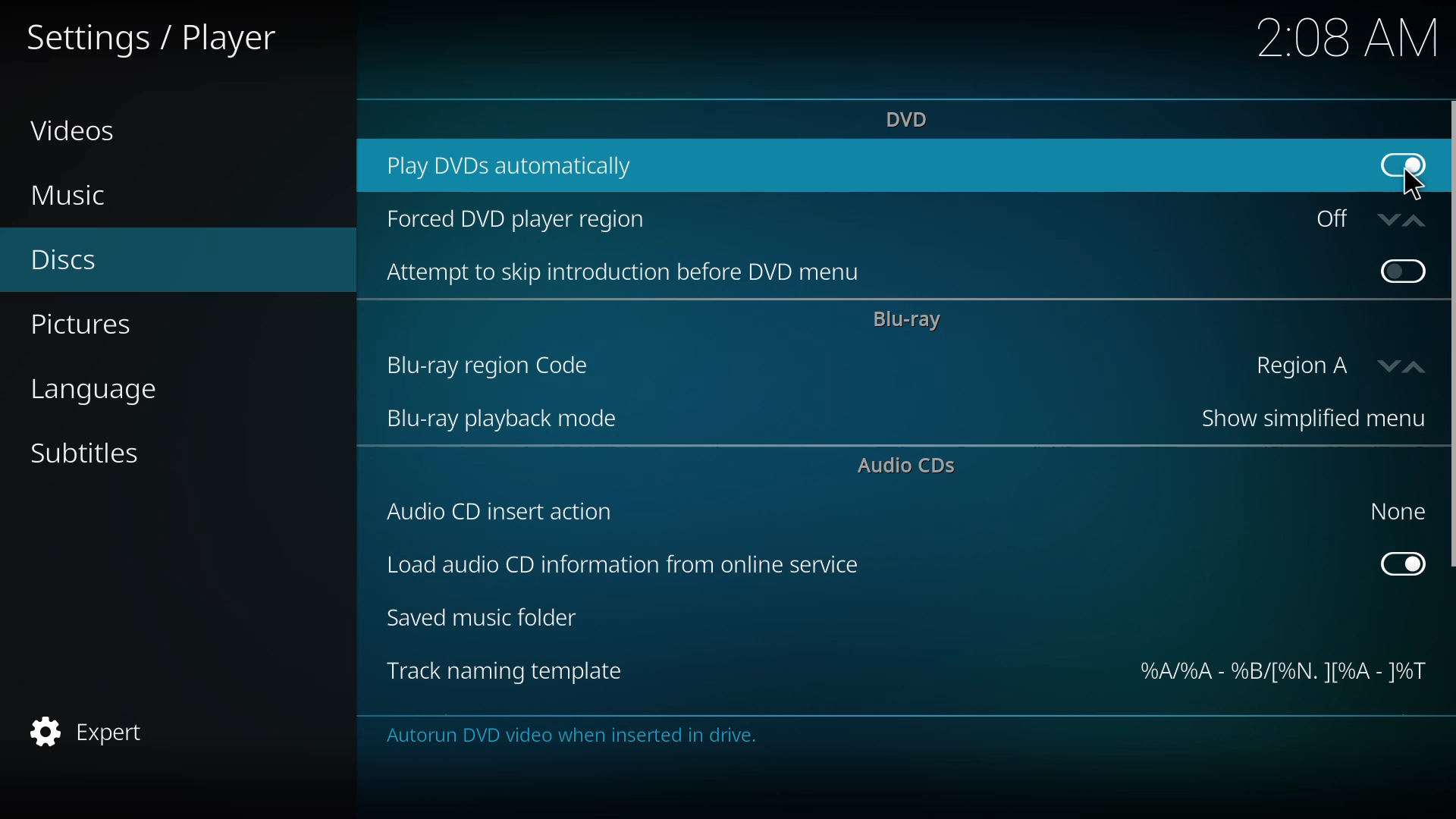 The width and height of the screenshot is (1456, 819). Describe the element at coordinates (911, 118) in the screenshot. I see `dvd` at that location.